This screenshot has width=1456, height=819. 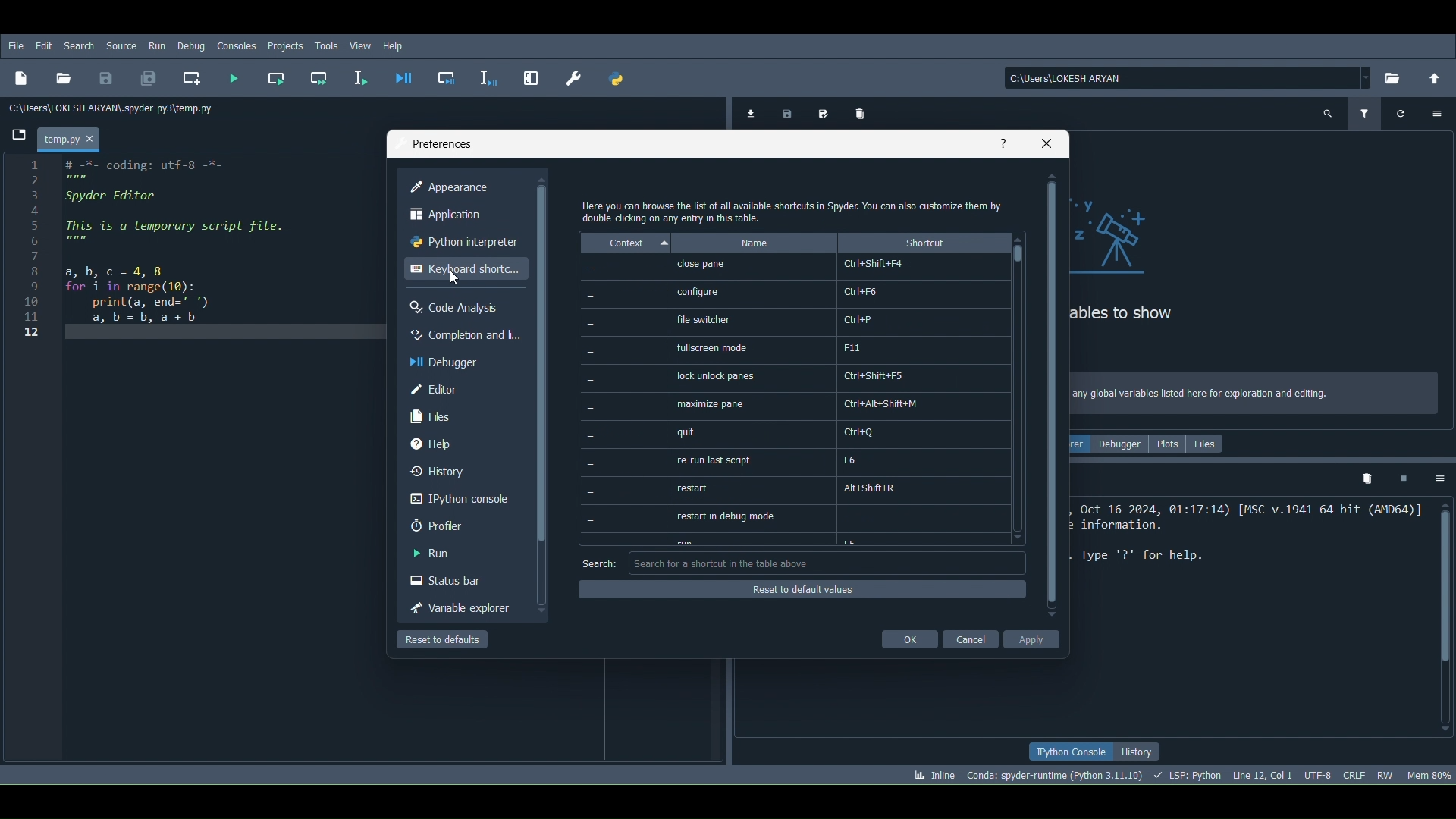 I want to click on Debugger, so click(x=1118, y=441).